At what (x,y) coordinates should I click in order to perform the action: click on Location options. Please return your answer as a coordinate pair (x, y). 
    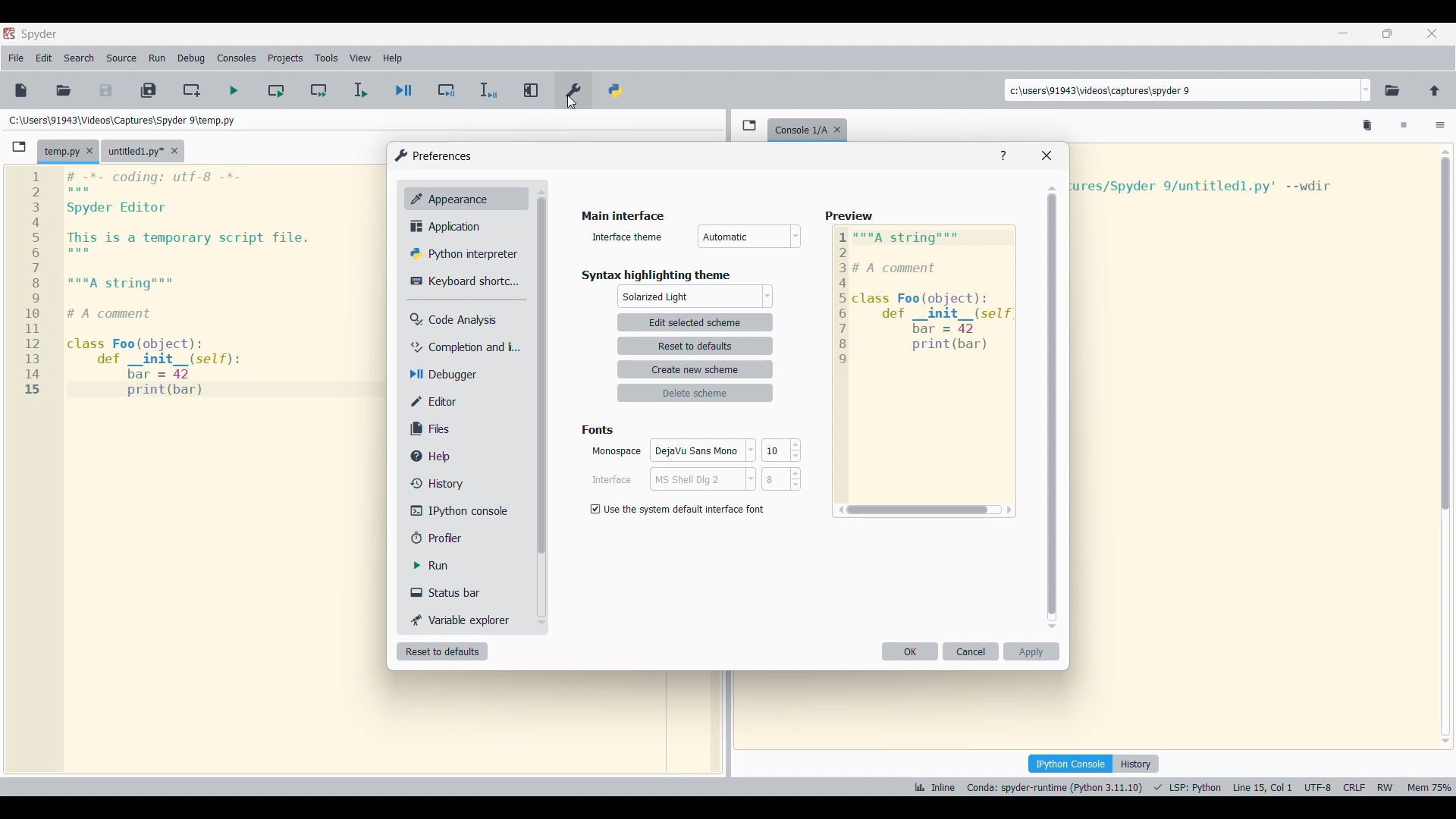
    Looking at the image, I should click on (1367, 90).